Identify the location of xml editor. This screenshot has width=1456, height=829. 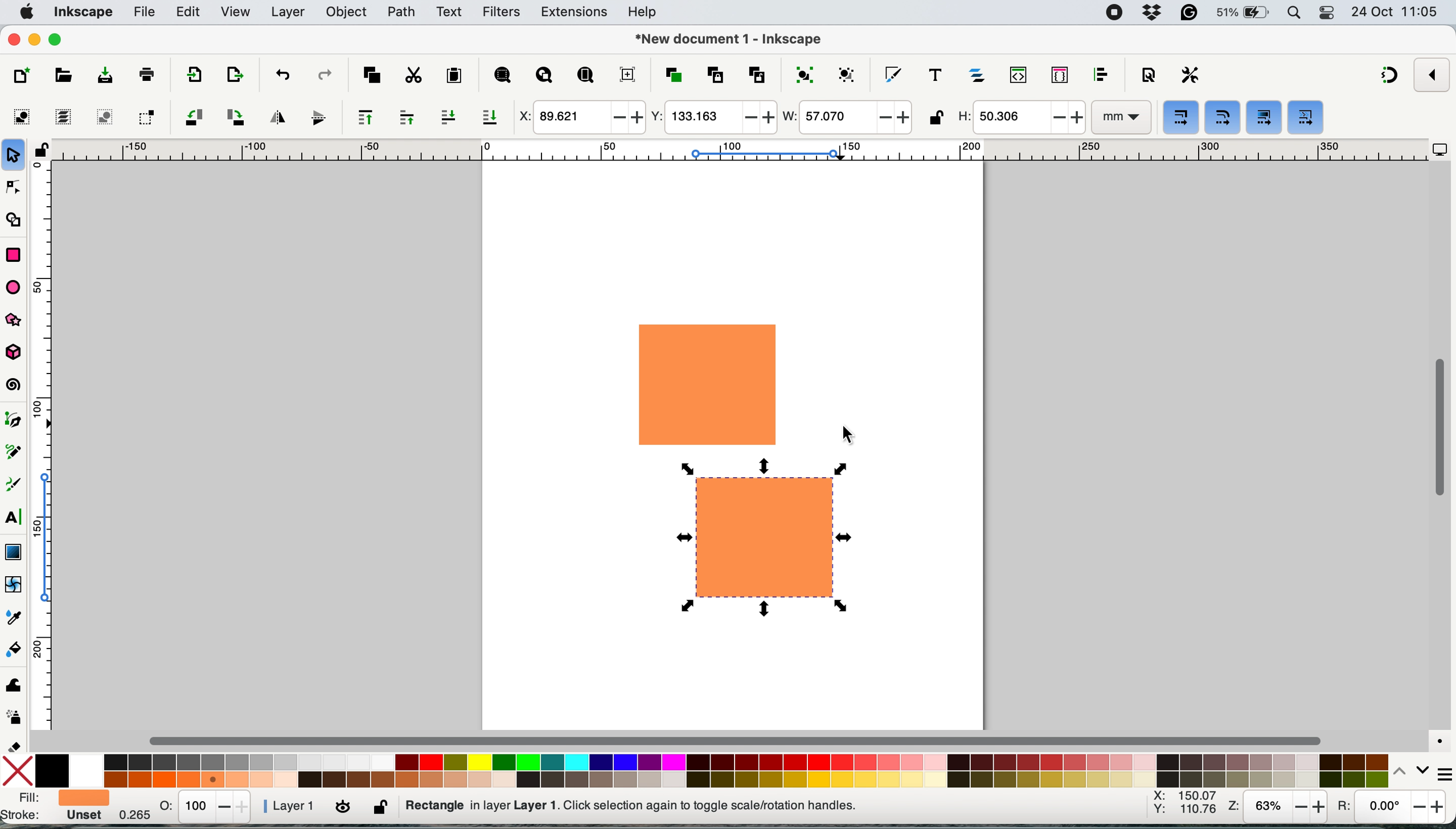
(1016, 75).